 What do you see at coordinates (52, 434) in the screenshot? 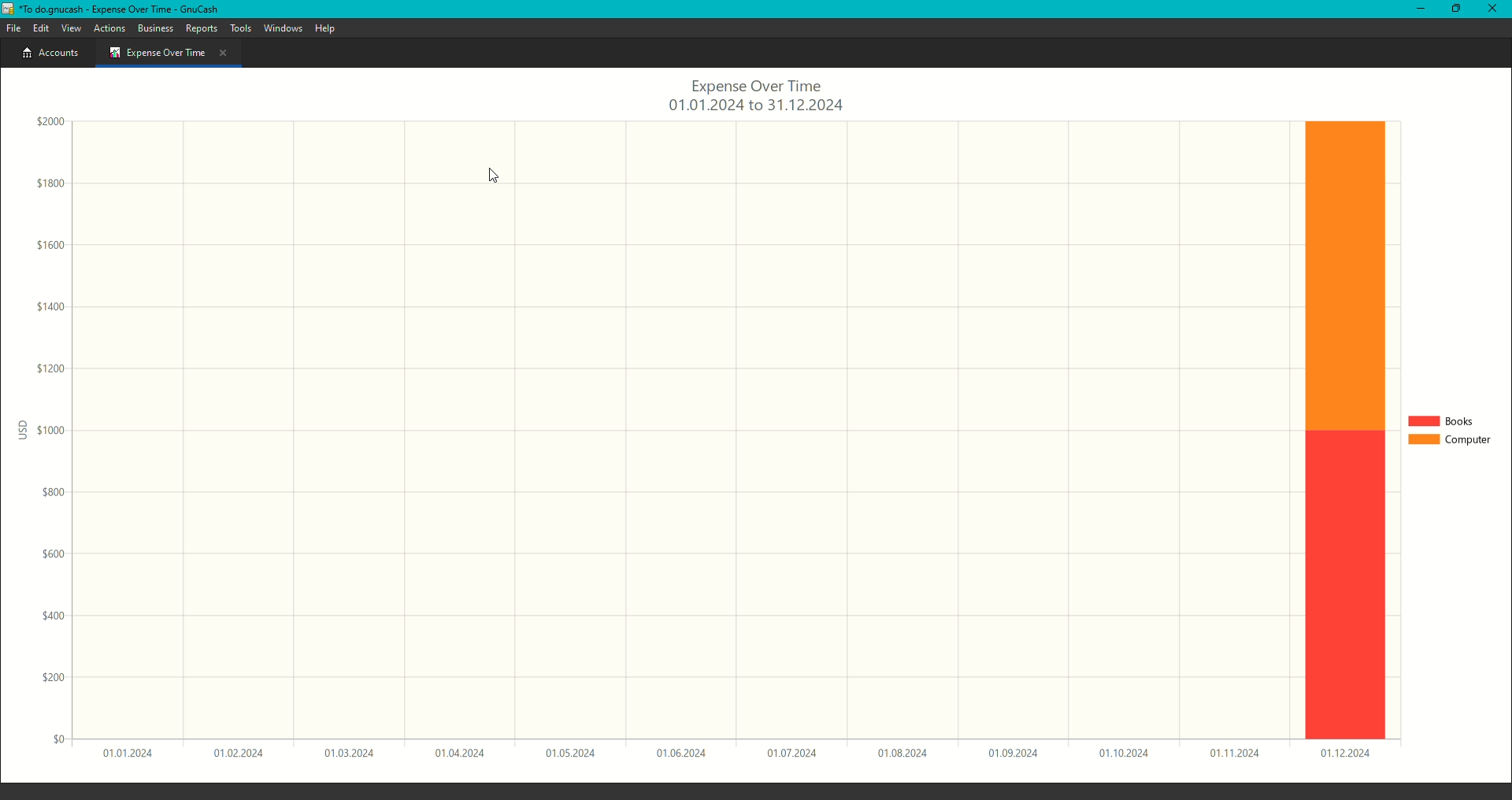
I see `Amount in USD` at bounding box center [52, 434].